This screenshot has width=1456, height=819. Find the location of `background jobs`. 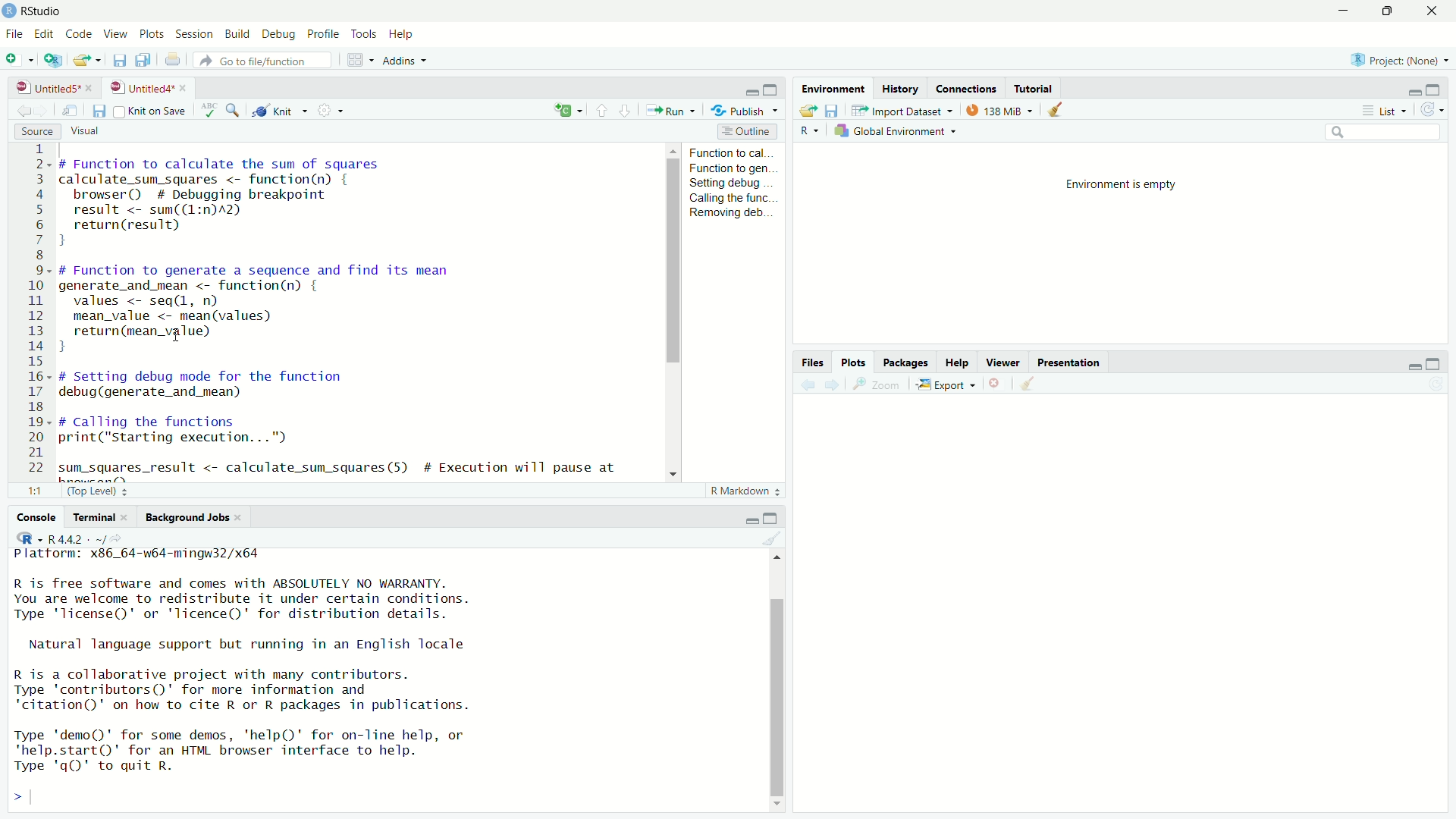

background jobs is located at coordinates (187, 516).